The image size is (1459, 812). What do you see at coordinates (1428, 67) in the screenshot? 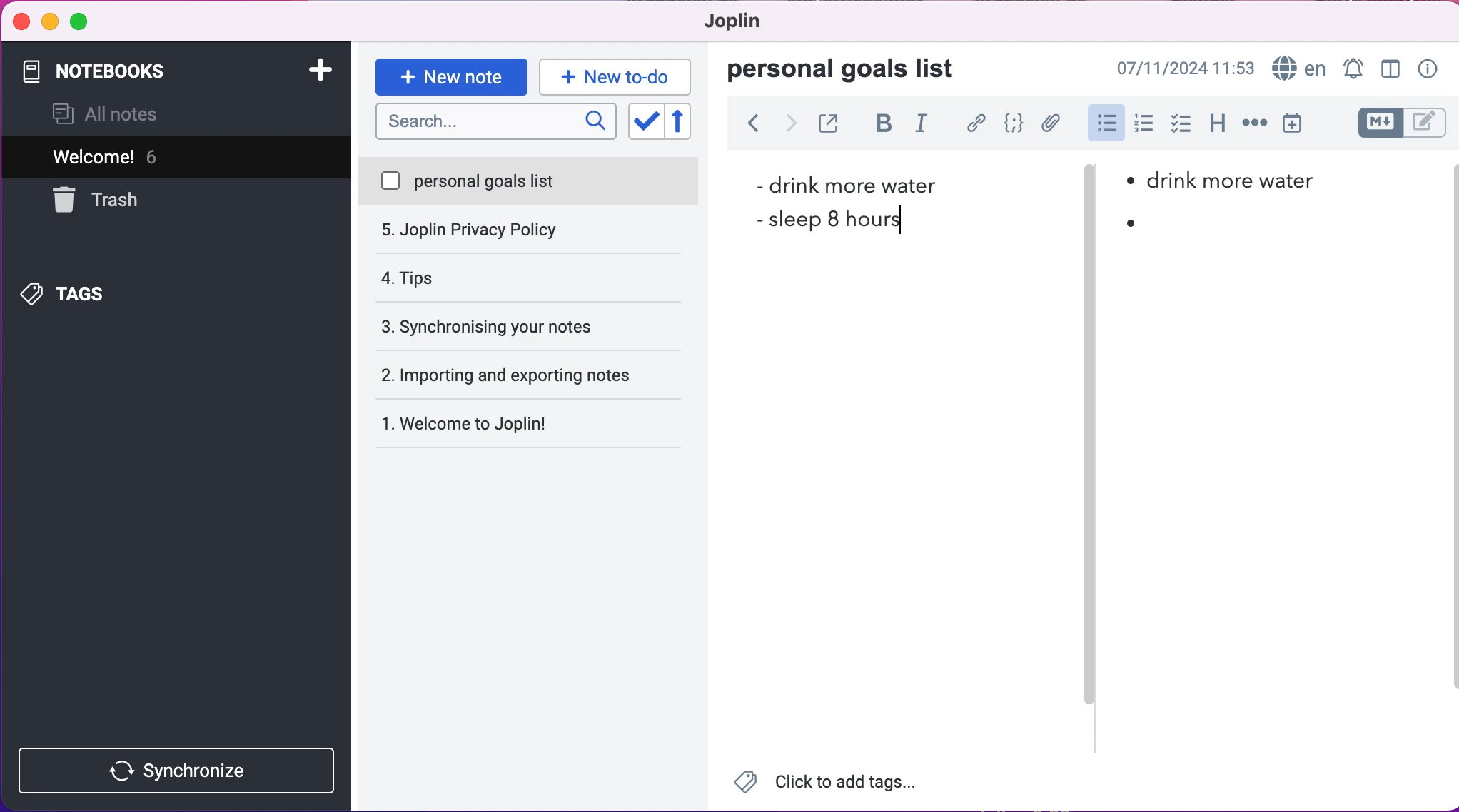
I see `note properties` at bounding box center [1428, 67].